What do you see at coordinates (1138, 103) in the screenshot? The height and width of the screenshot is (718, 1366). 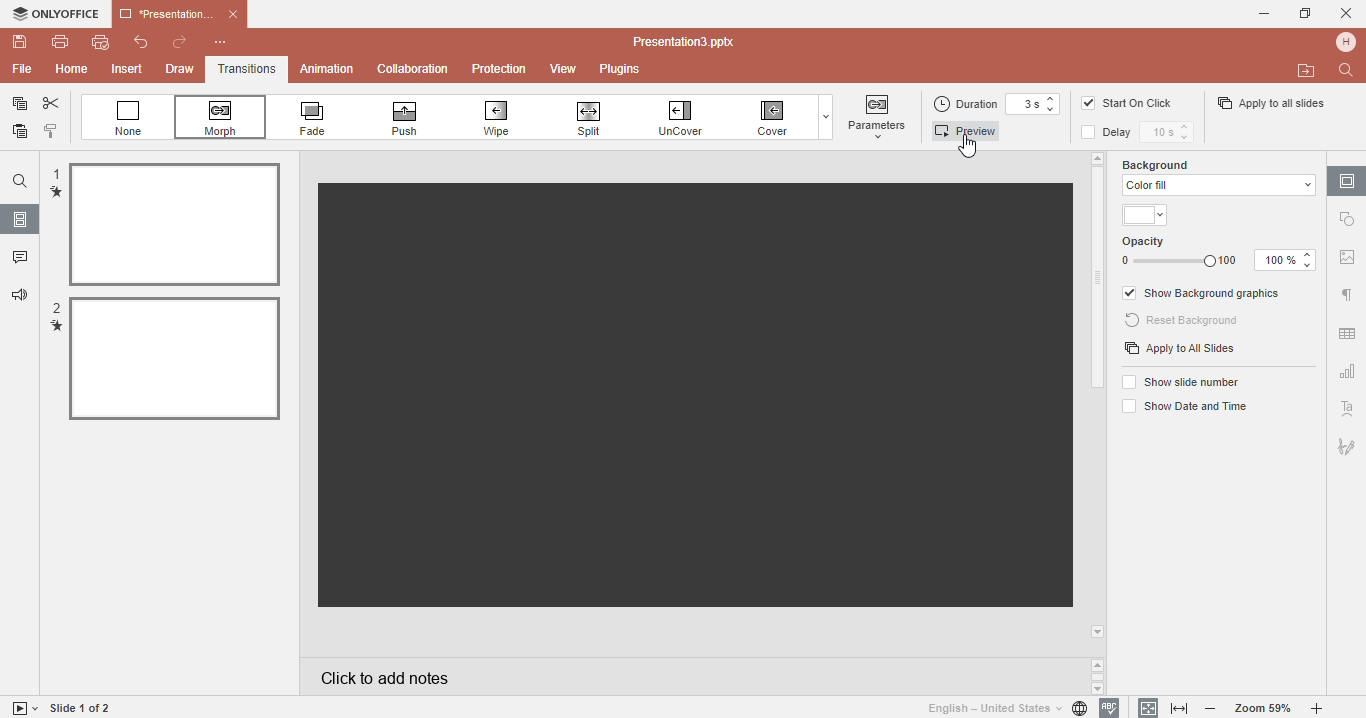 I see `Start on click` at bounding box center [1138, 103].